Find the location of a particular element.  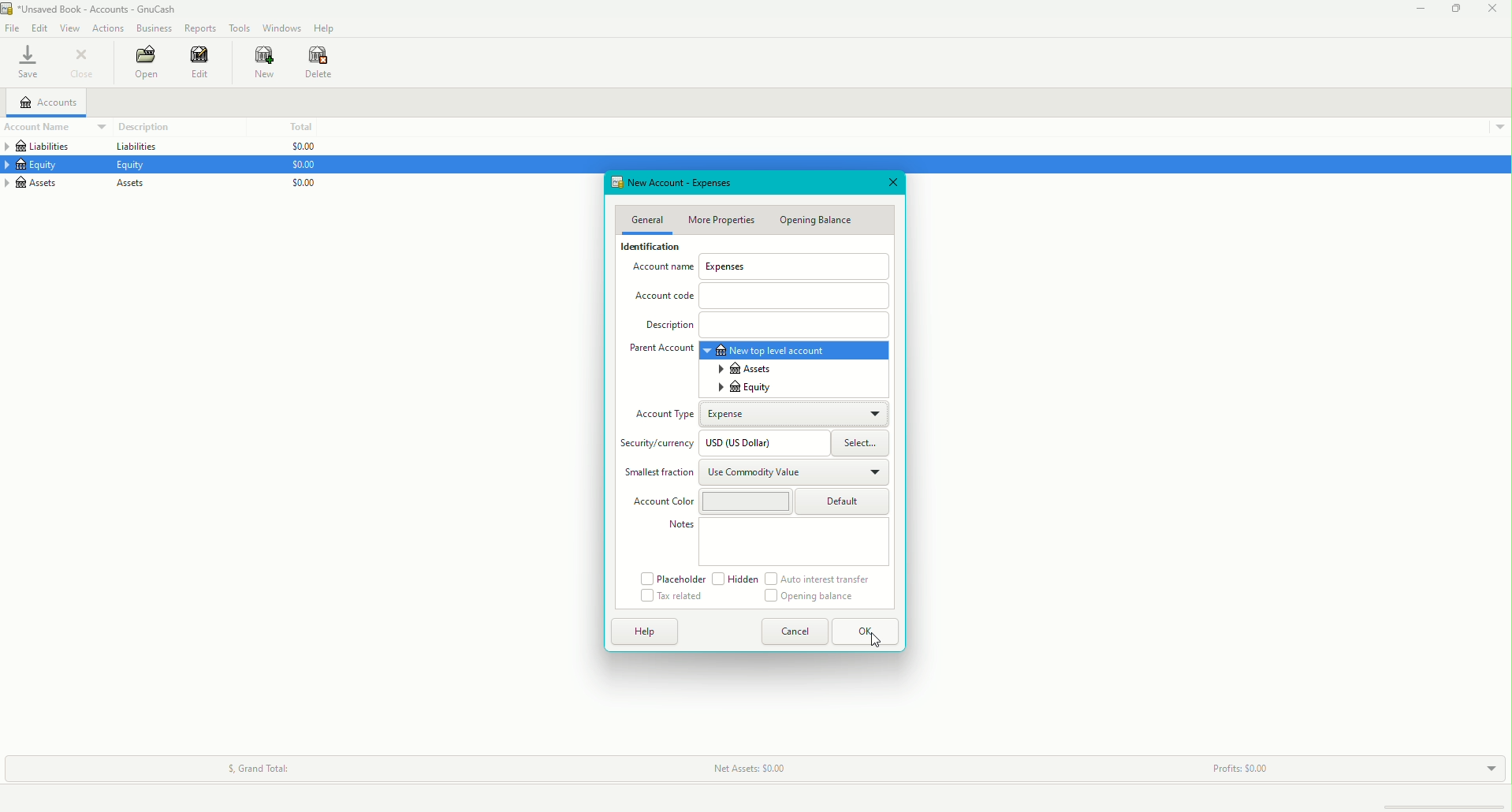

OK is located at coordinates (868, 634).